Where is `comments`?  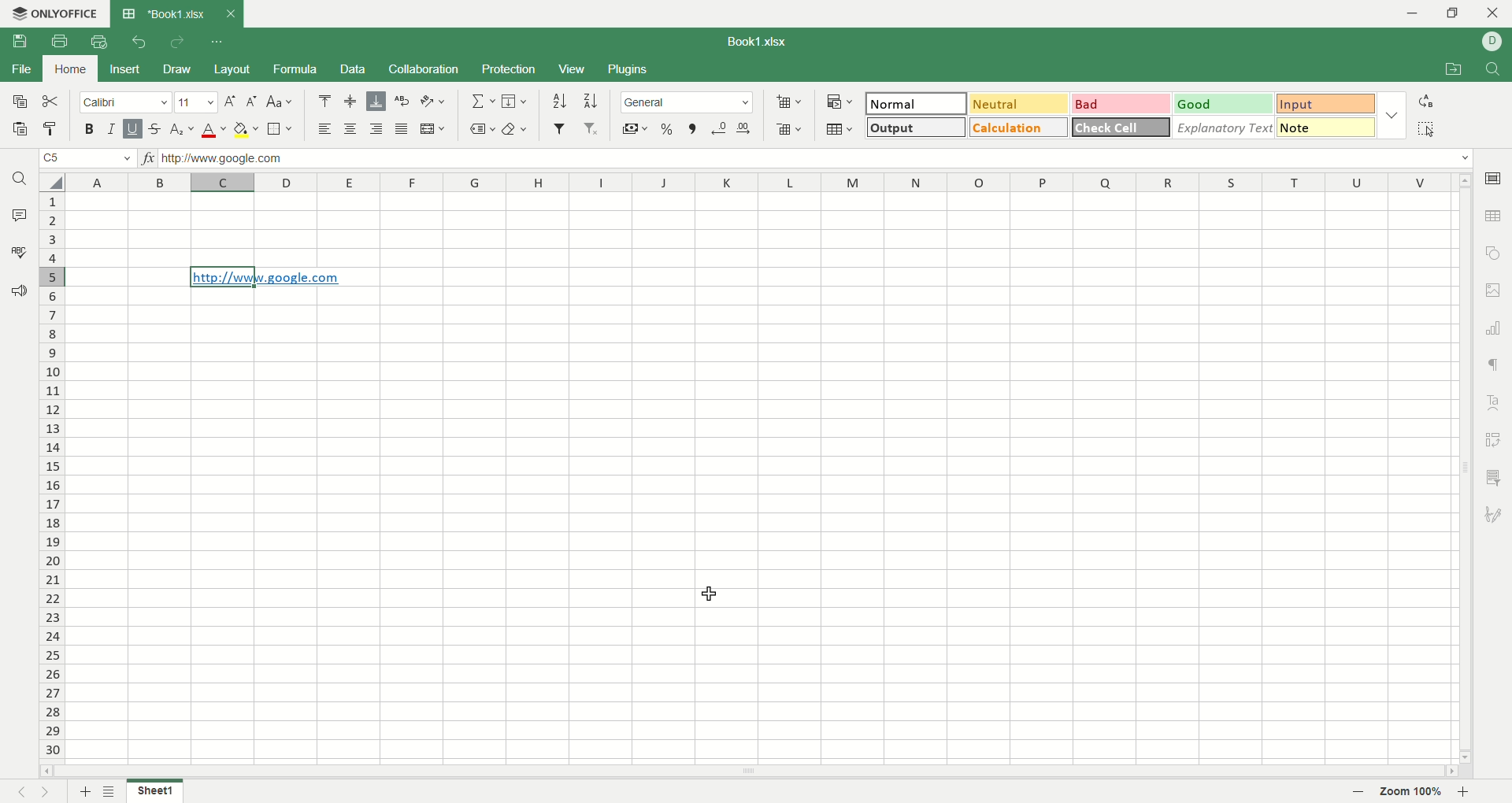 comments is located at coordinates (20, 216).